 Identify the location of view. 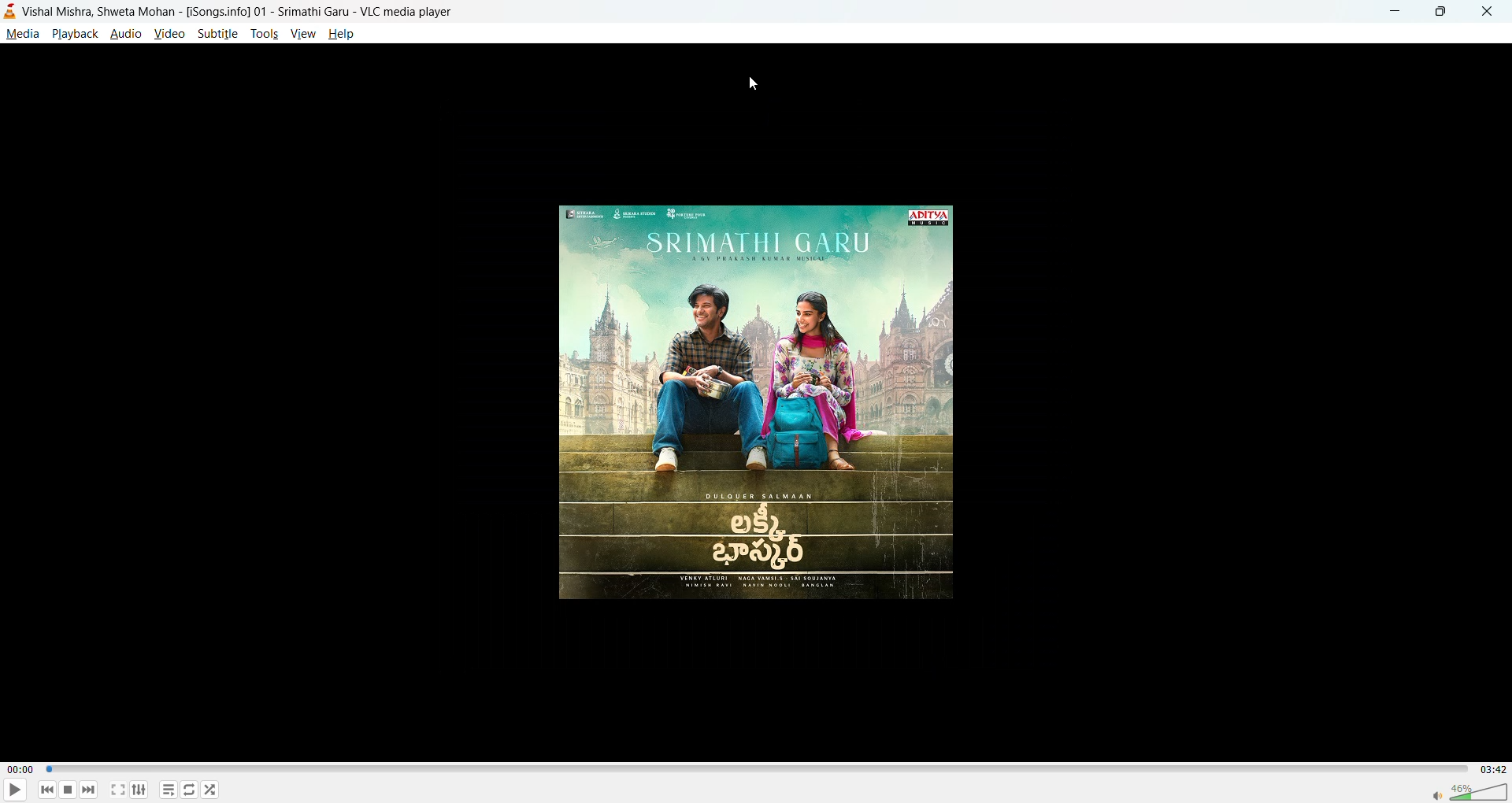
(302, 31).